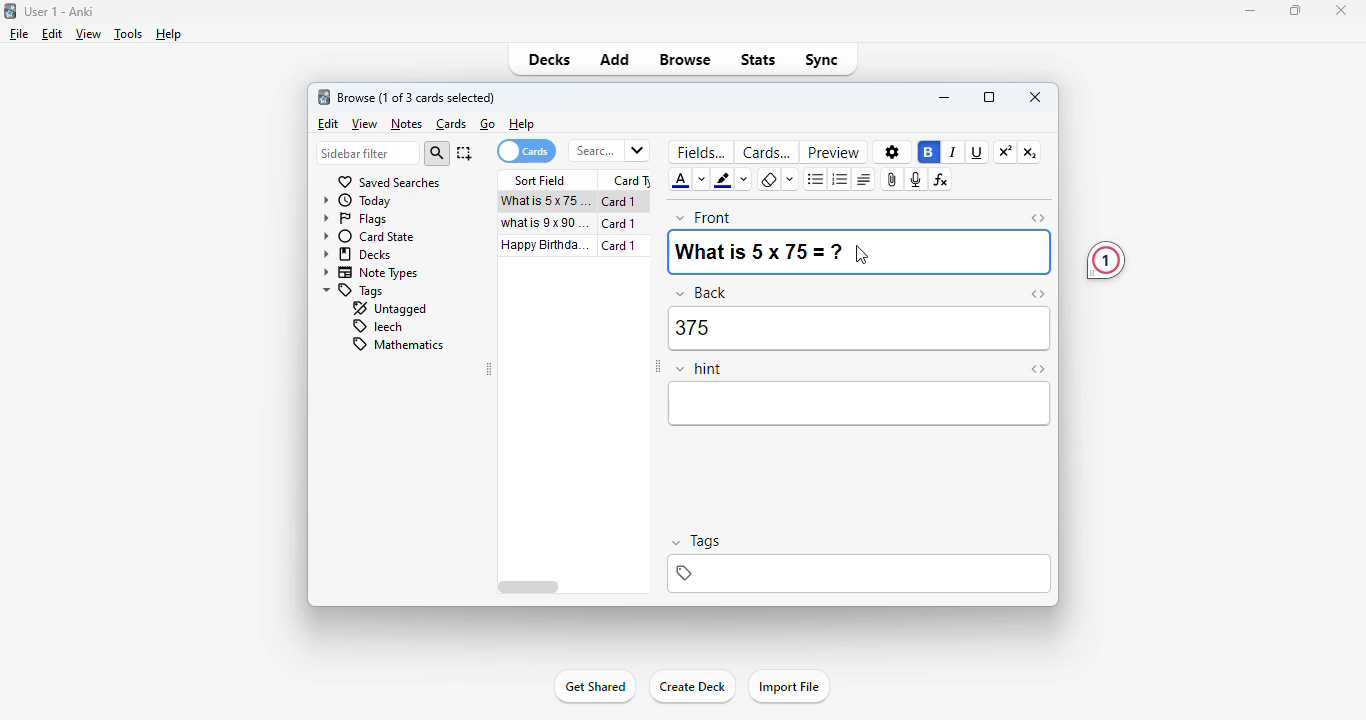  What do you see at coordinates (546, 223) in the screenshot?
I see `what is 9x90=?` at bounding box center [546, 223].